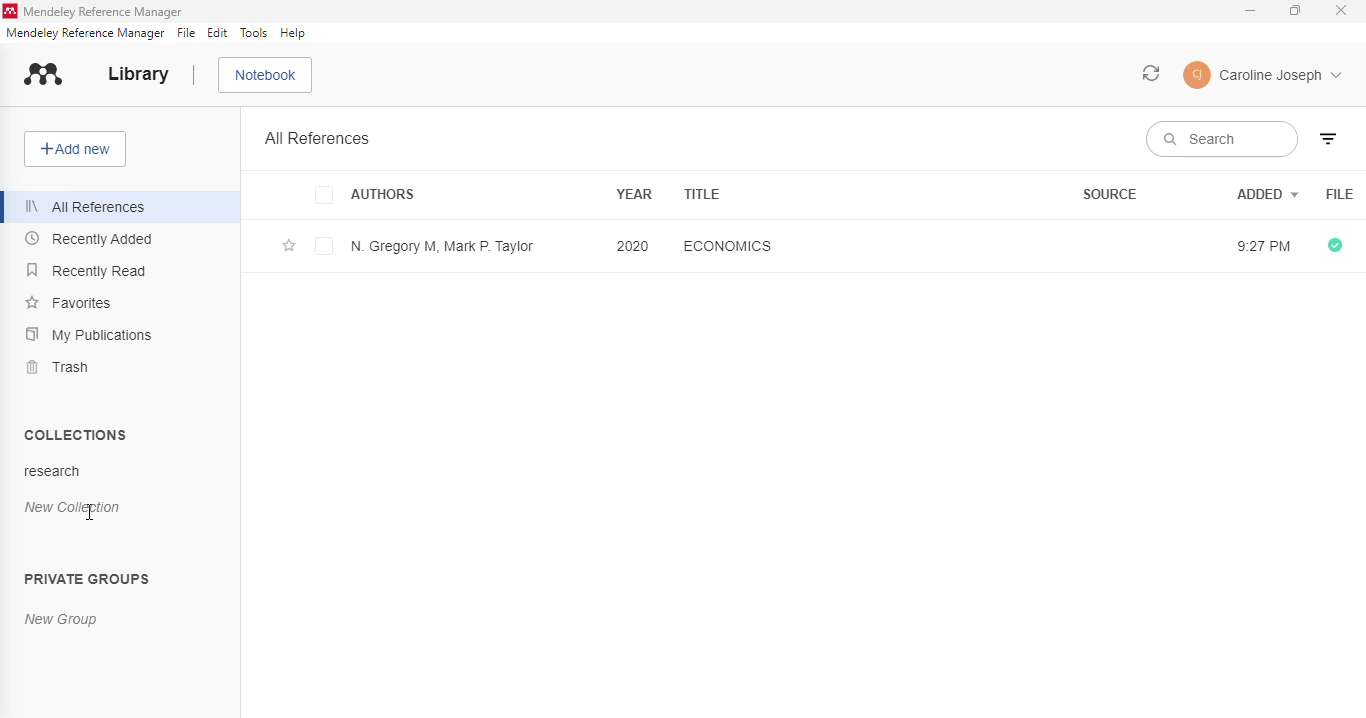  Describe the element at coordinates (1296, 11) in the screenshot. I see `maximize` at that location.